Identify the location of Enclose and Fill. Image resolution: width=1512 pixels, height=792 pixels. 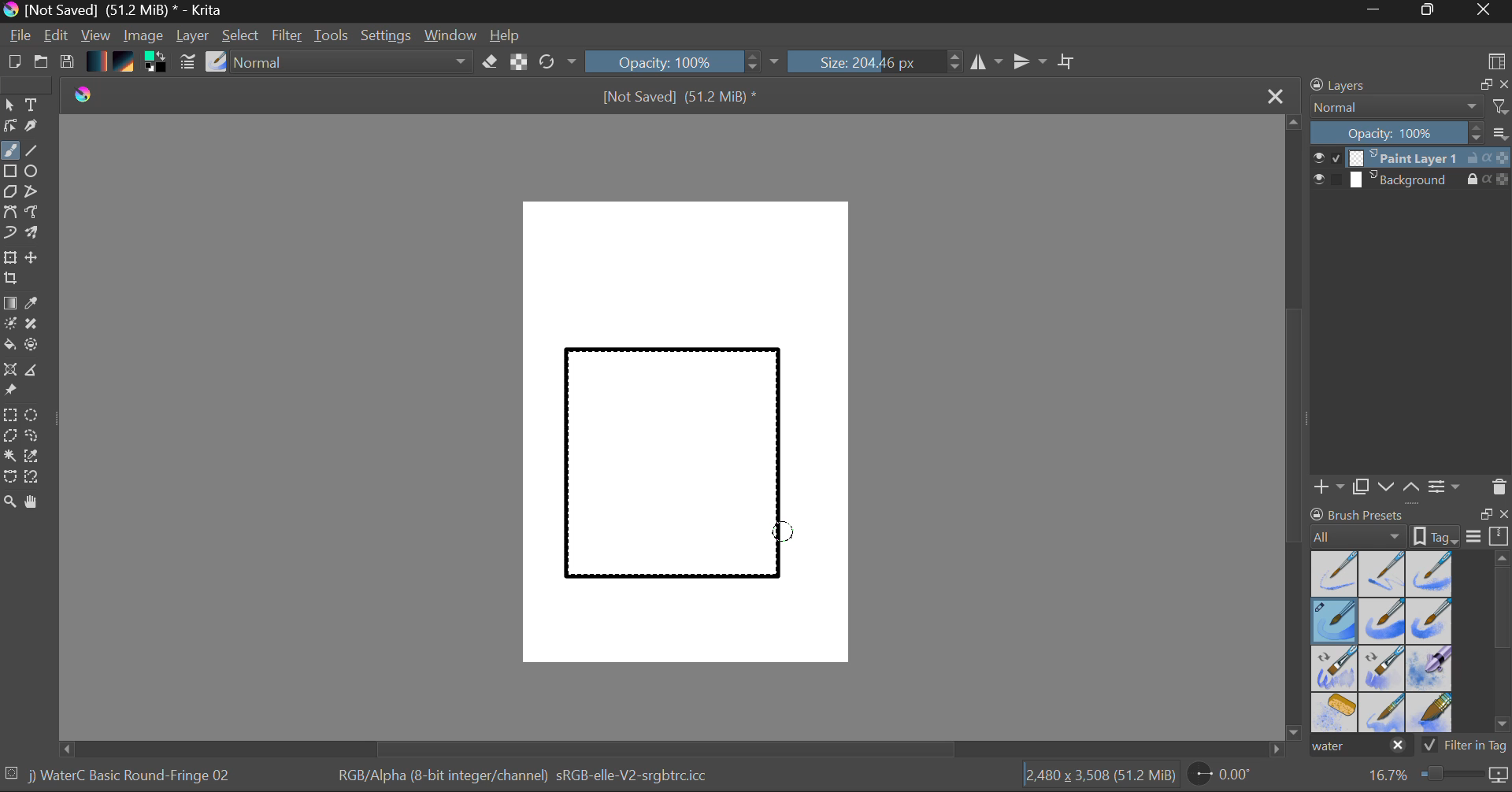
(35, 346).